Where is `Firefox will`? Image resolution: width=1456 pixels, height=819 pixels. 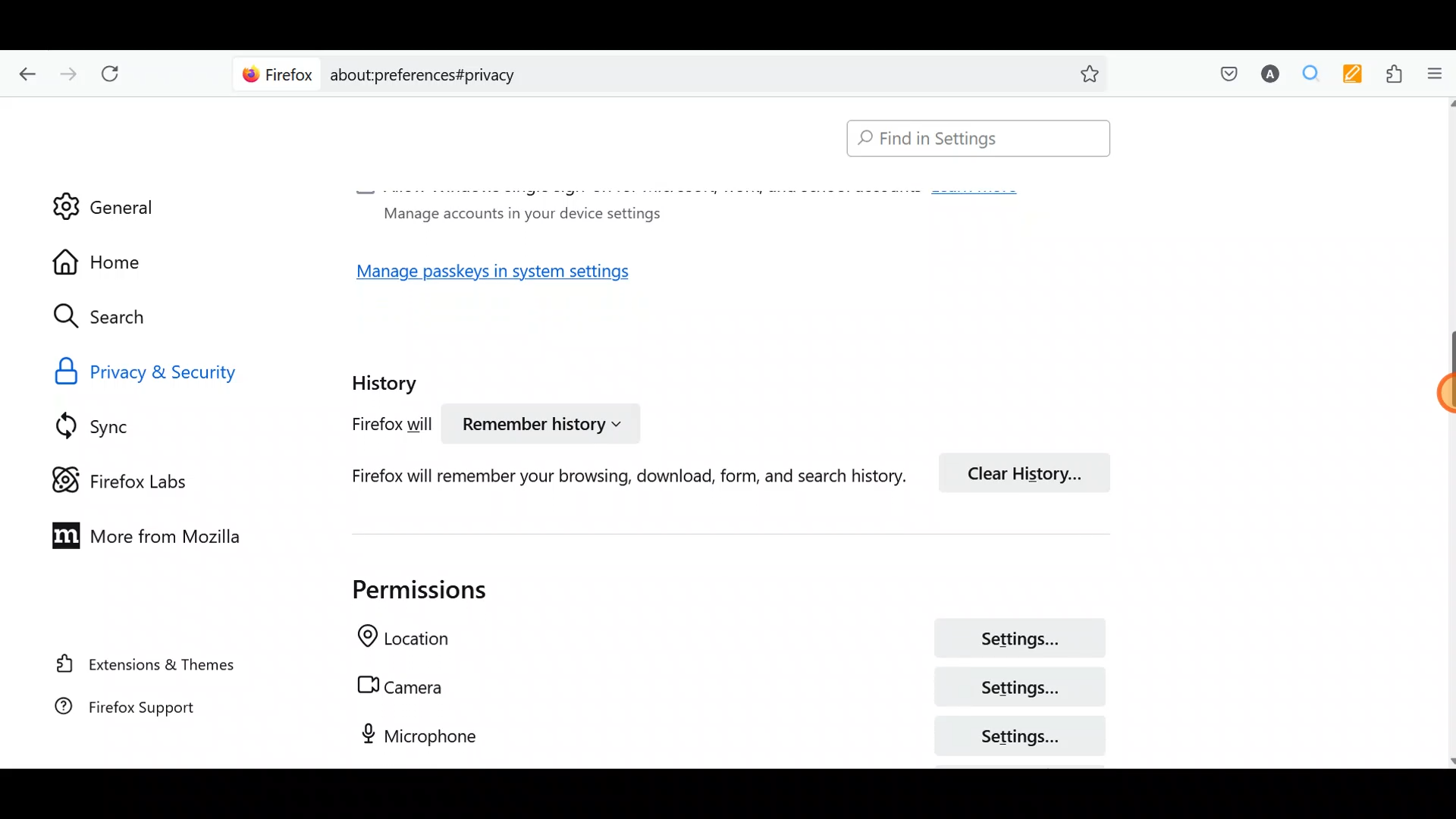 Firefox will is located at coordinates (376, 427).